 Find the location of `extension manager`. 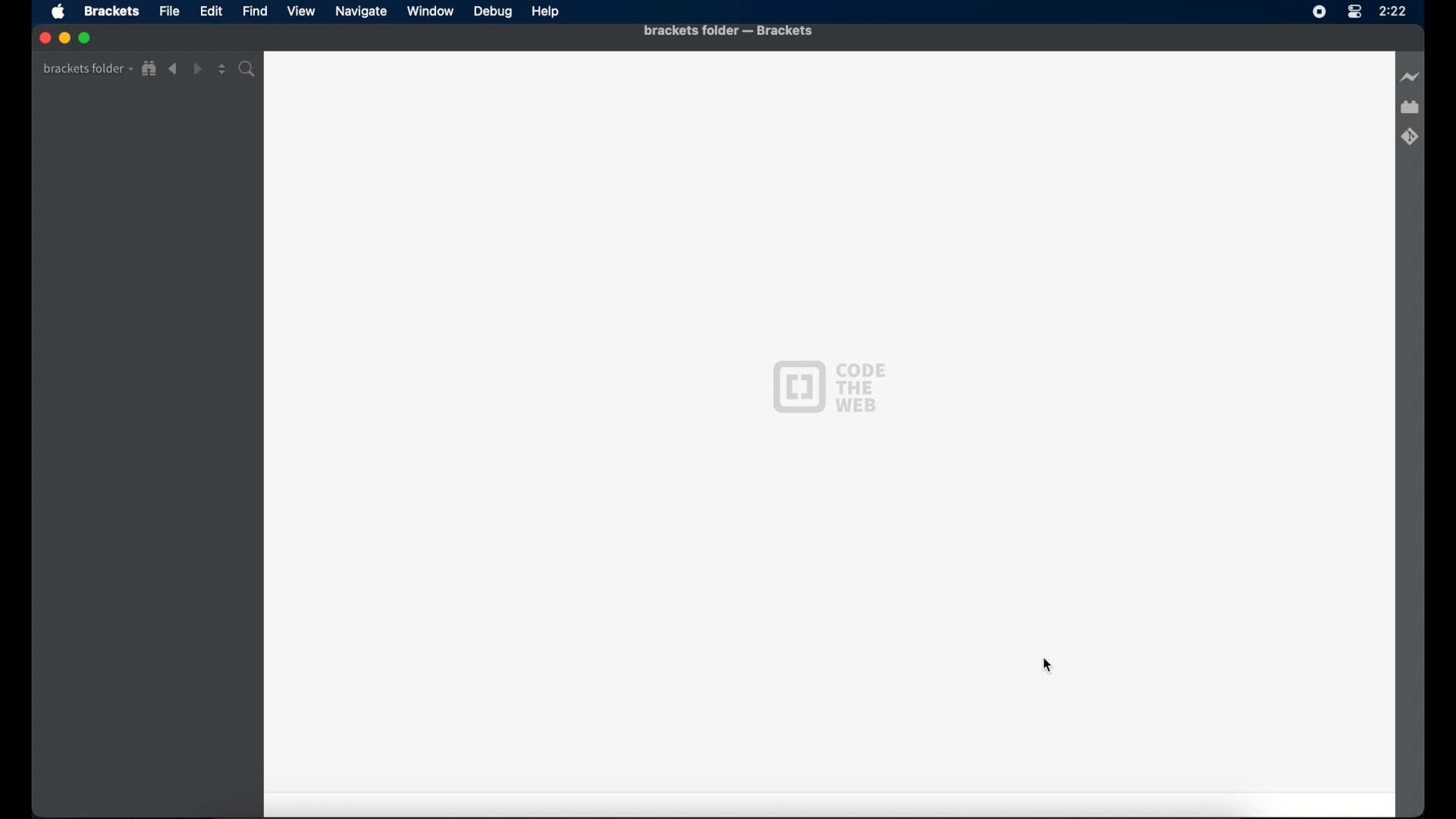

extension manager is located at coordinates (1411, 108).